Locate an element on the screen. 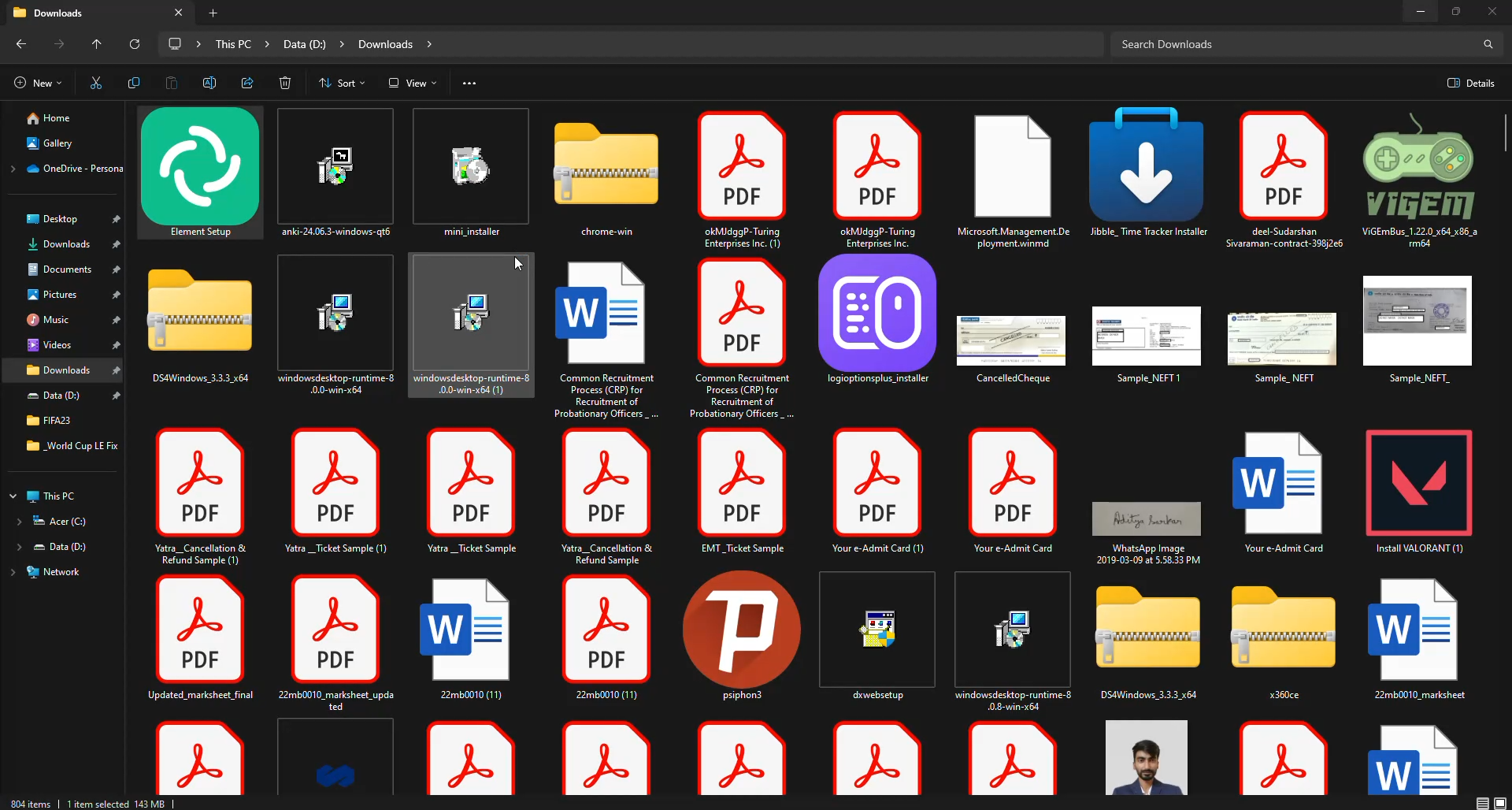 This screenshot has width=1512, height=810. file is located at coordinates (346, 175).